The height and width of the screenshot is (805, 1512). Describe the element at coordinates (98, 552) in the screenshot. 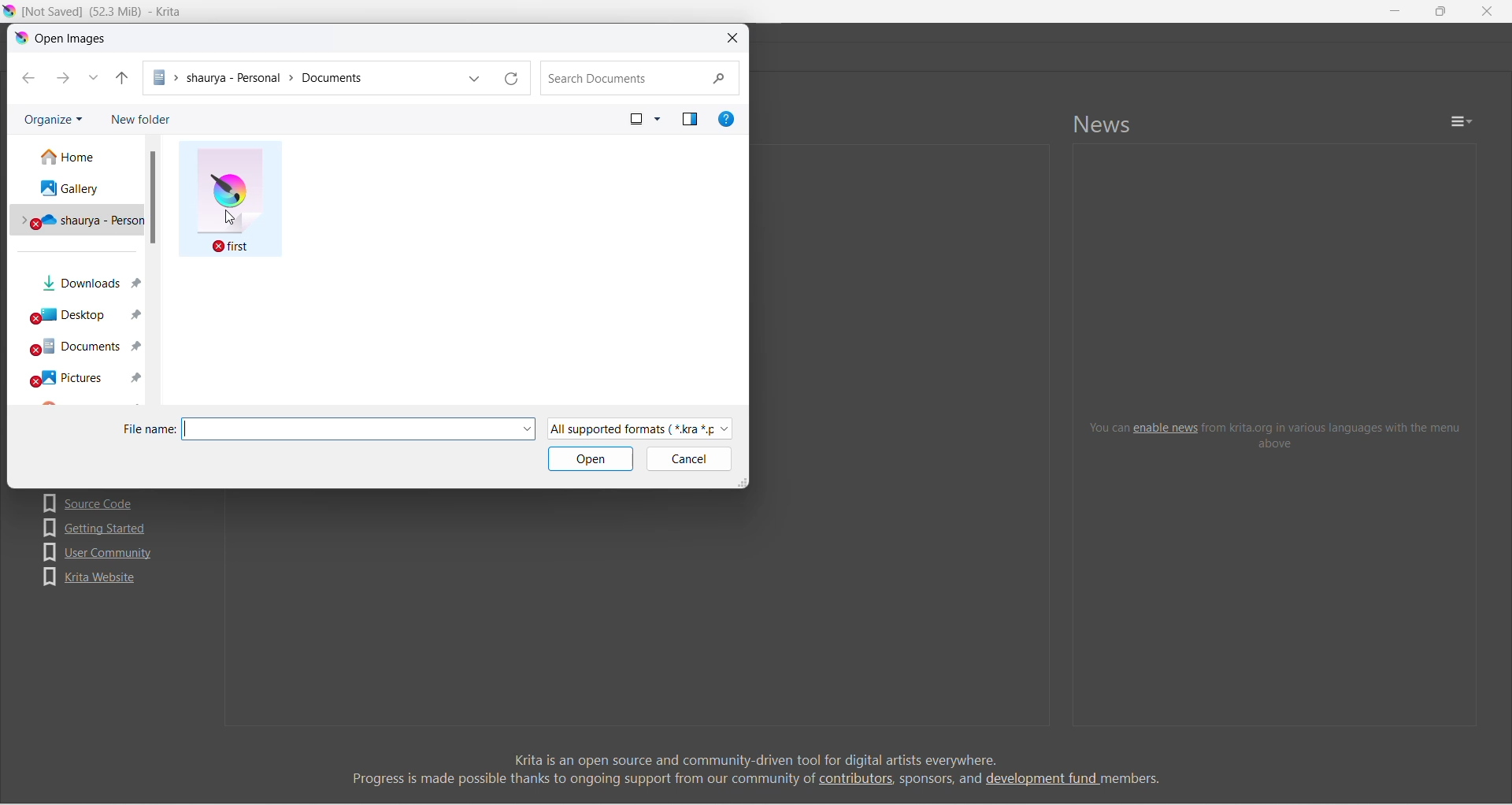

I see `user community` at that location.